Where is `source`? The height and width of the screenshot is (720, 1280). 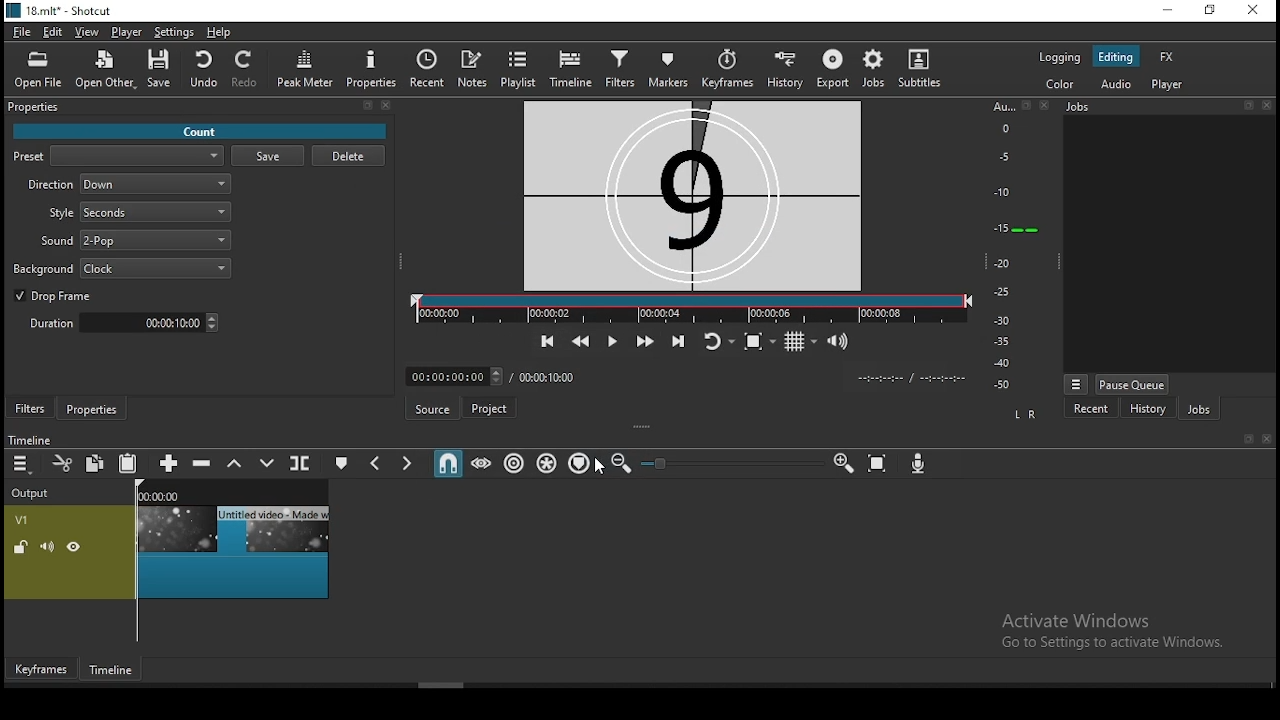
source is located at coordinates (432, 408).